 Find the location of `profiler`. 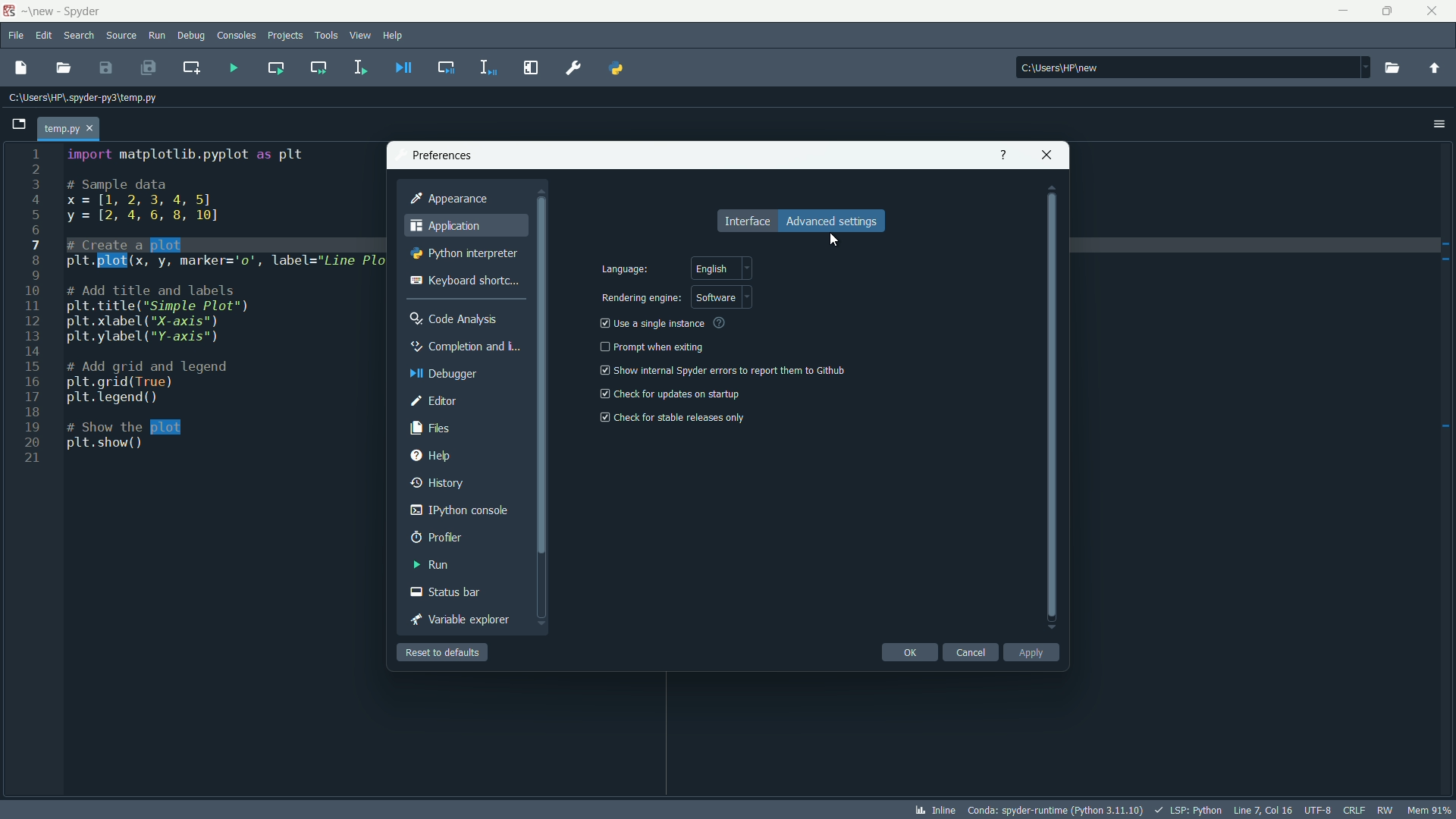

profiler is located at coordinates (438, 536).